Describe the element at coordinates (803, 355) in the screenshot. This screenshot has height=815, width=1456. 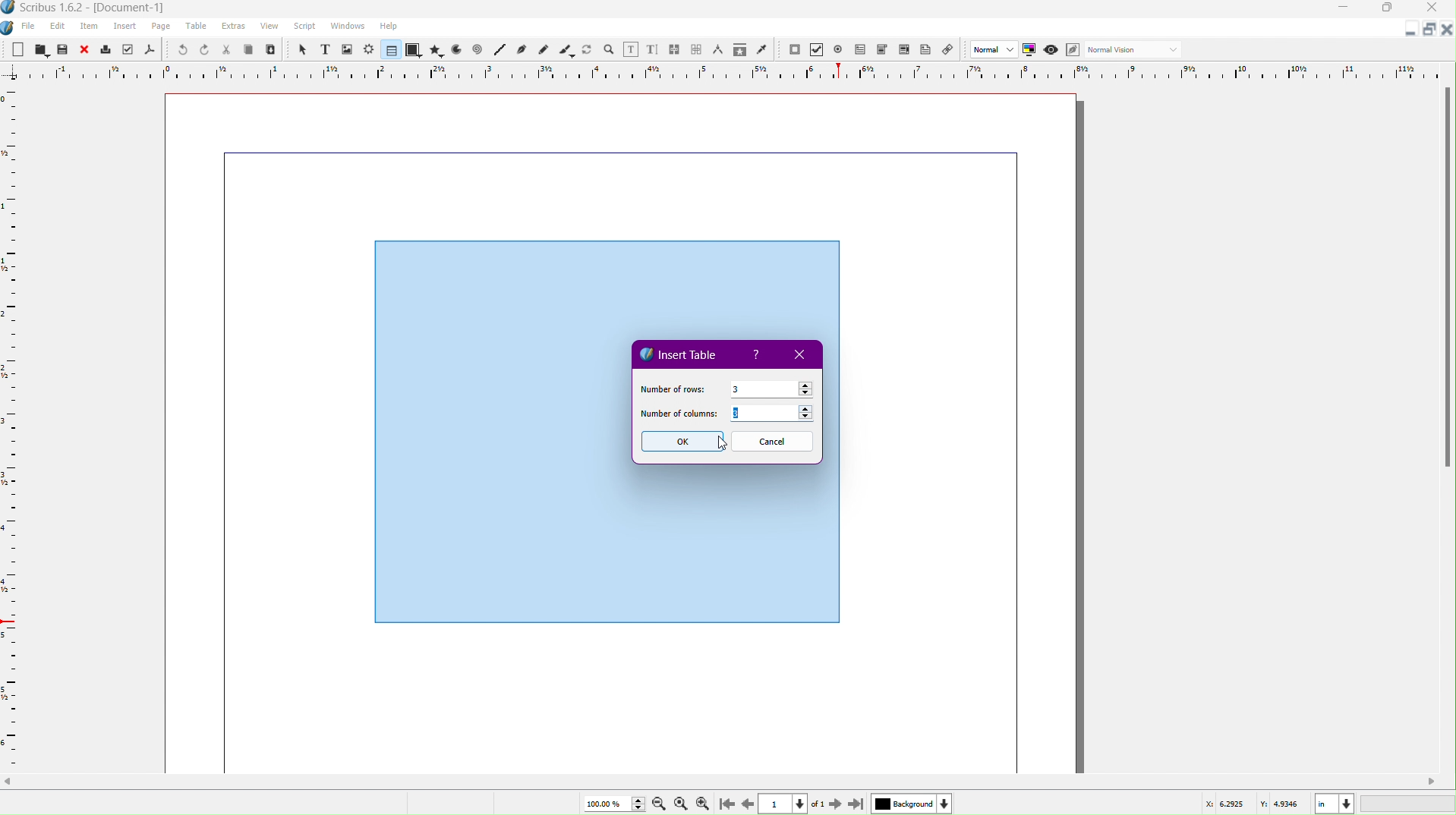
I see `Close` at that location.